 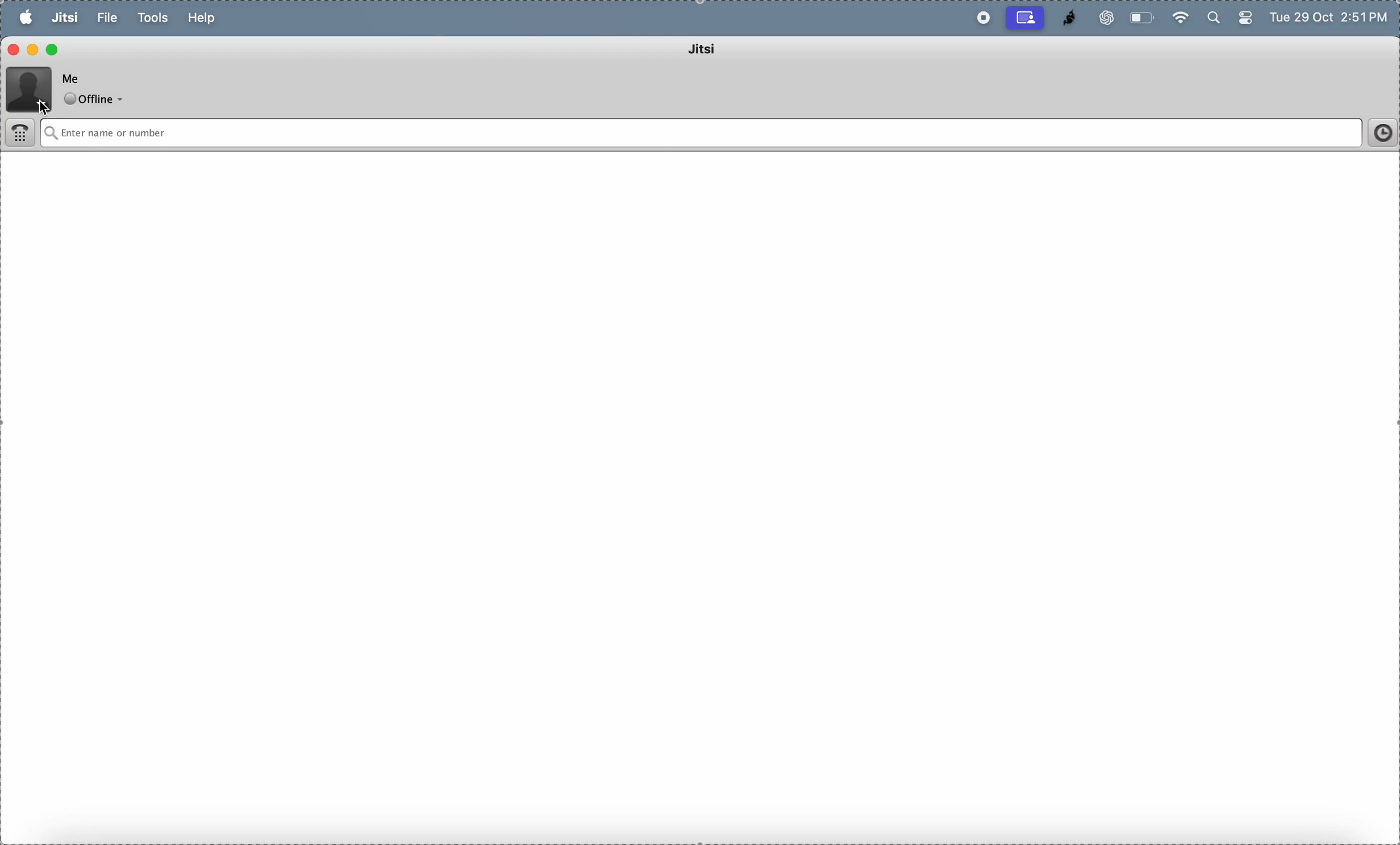 What do you see at coordinates (1143, 18) in the screenshot?
I see `battery` at bounding box center [1143, 18].